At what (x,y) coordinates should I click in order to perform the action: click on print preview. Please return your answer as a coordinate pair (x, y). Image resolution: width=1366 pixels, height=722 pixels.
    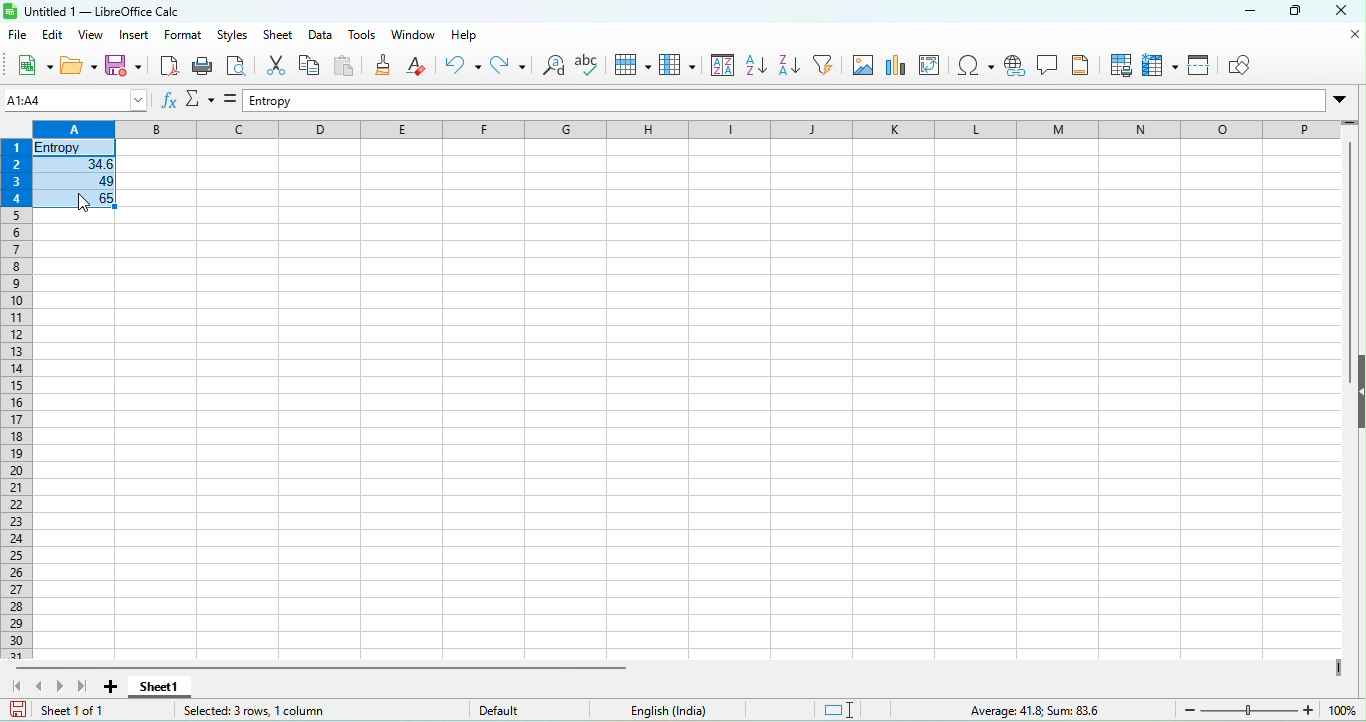
    Looking at the image, I should click on (241, 67).